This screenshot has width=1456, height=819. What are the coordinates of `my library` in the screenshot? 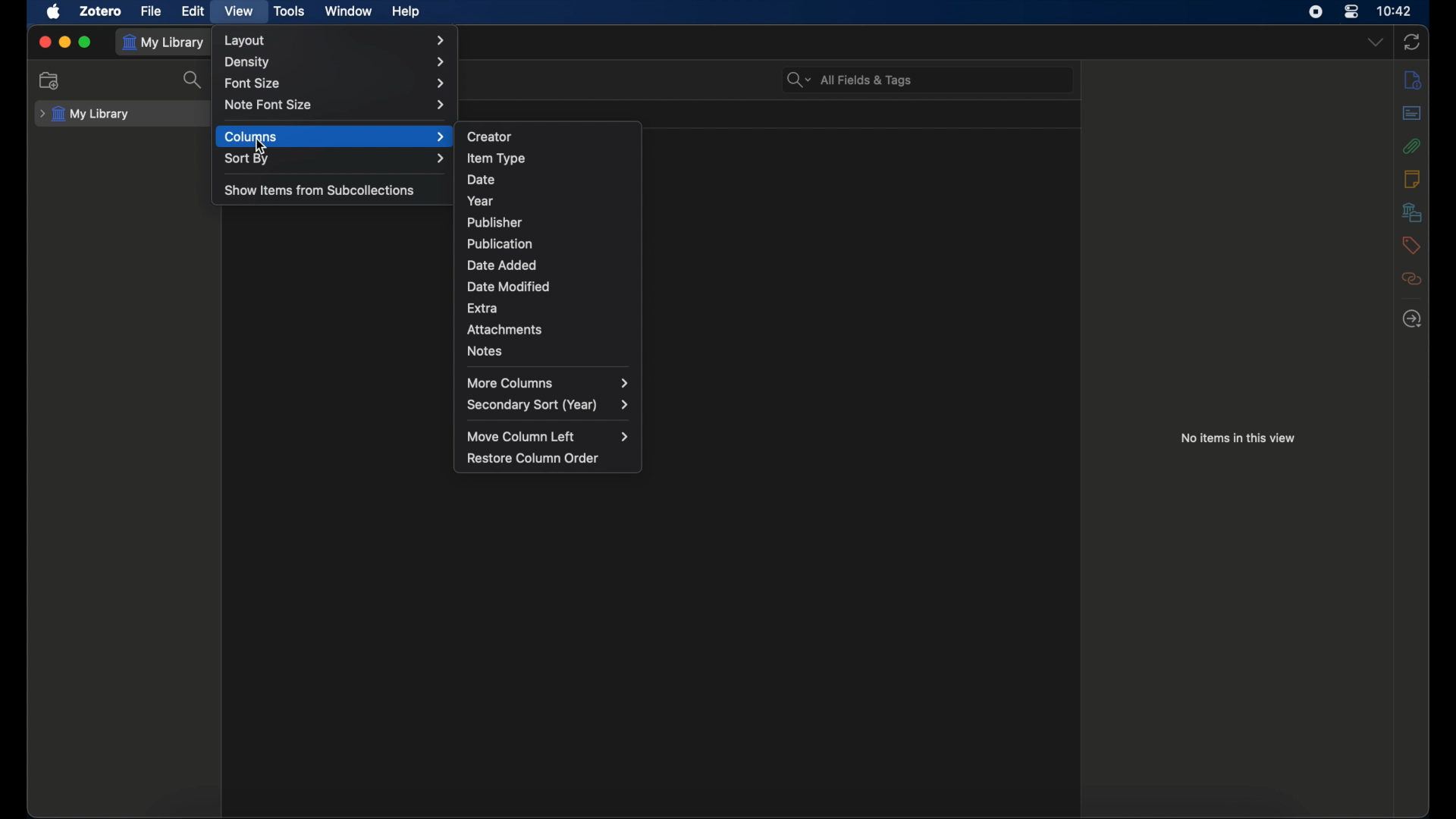 It's located at (167, 42).